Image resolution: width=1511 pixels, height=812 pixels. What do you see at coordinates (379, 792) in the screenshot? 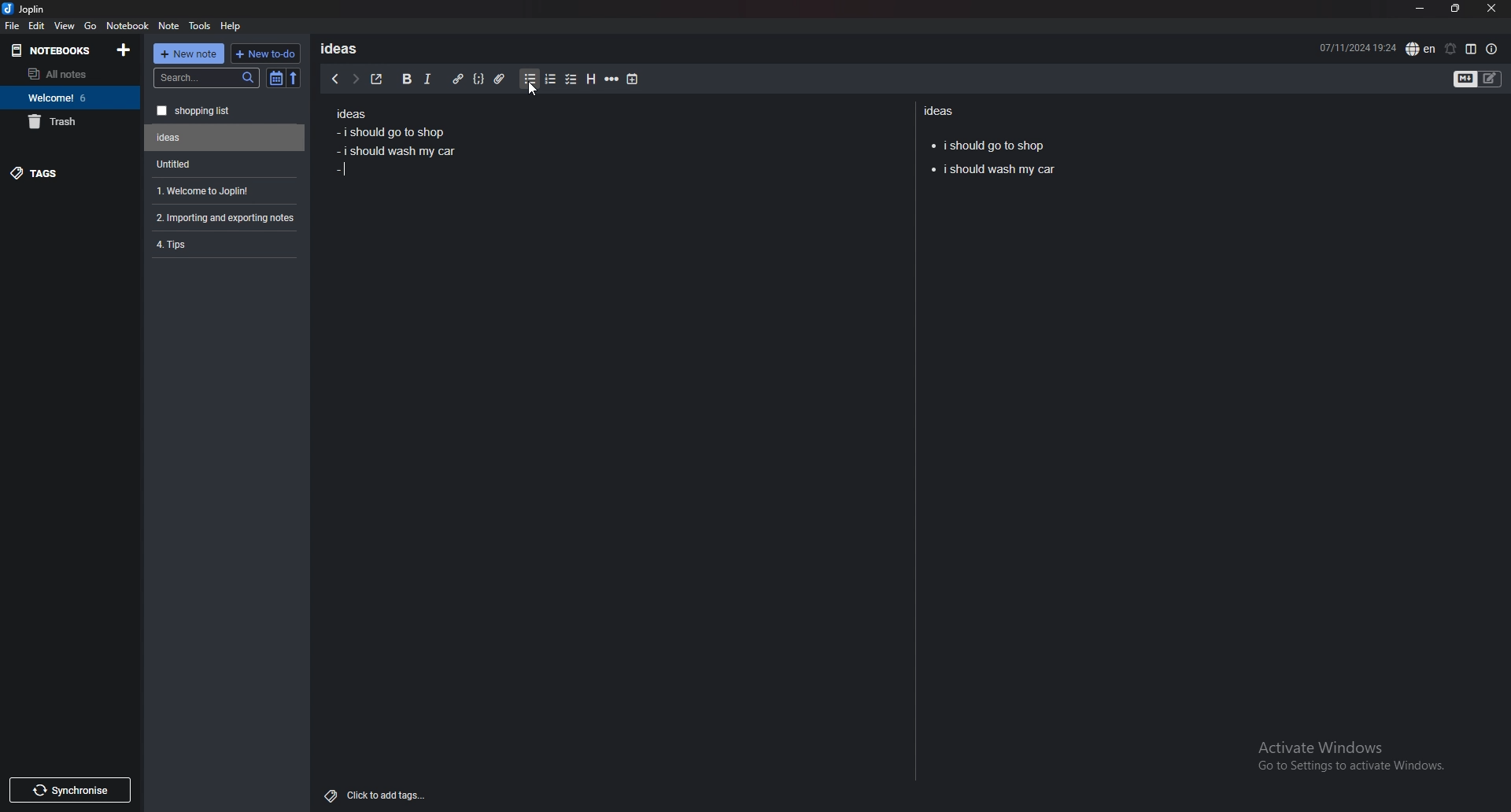
I see `Click to add tags` at bounding box center [379, 792].